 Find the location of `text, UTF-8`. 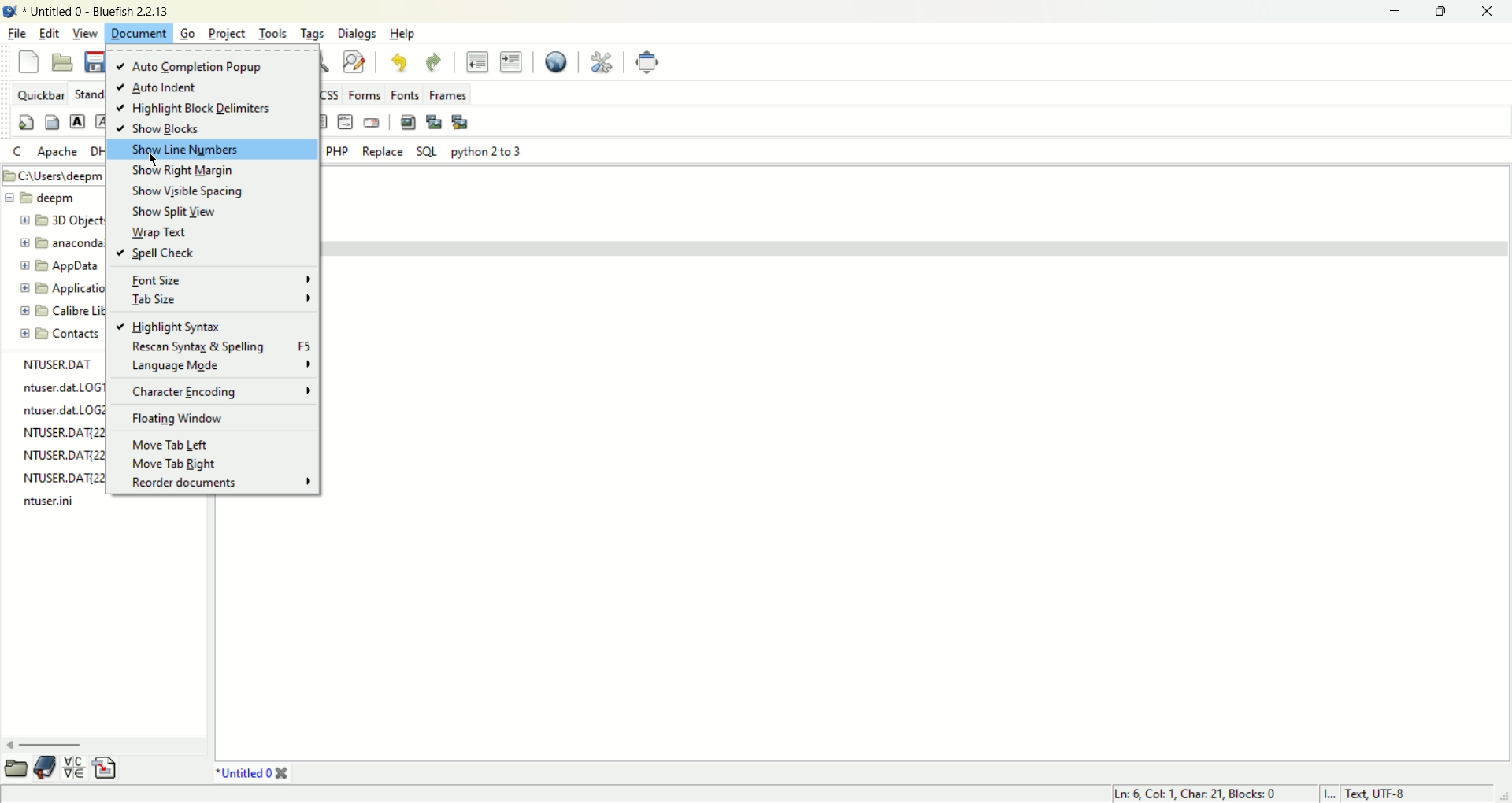

text, UTF-8 is located at coordinates (1385, 793).